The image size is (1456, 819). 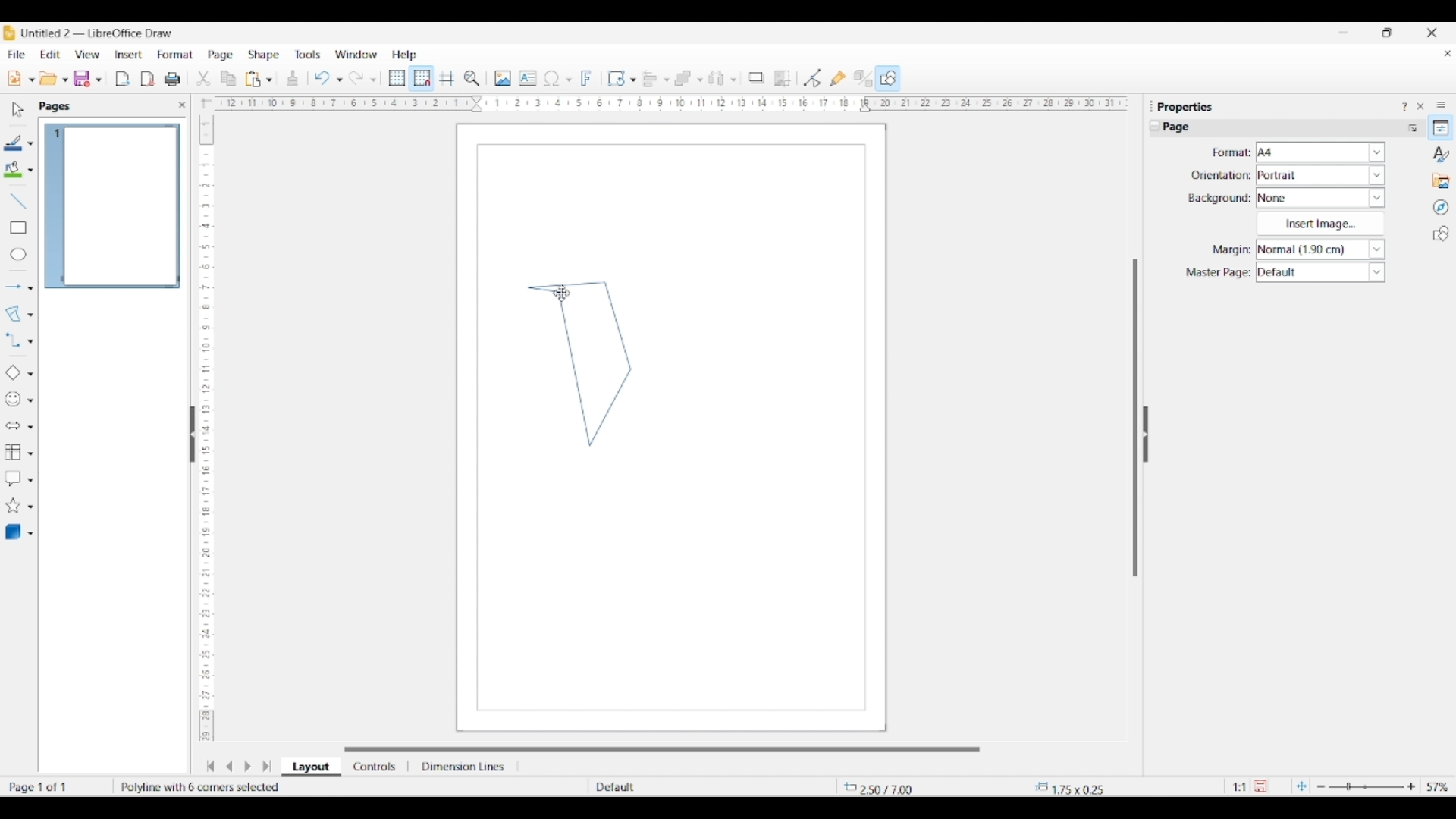 I want to click on Help about this sidebar, so click(x=1404, y=106).